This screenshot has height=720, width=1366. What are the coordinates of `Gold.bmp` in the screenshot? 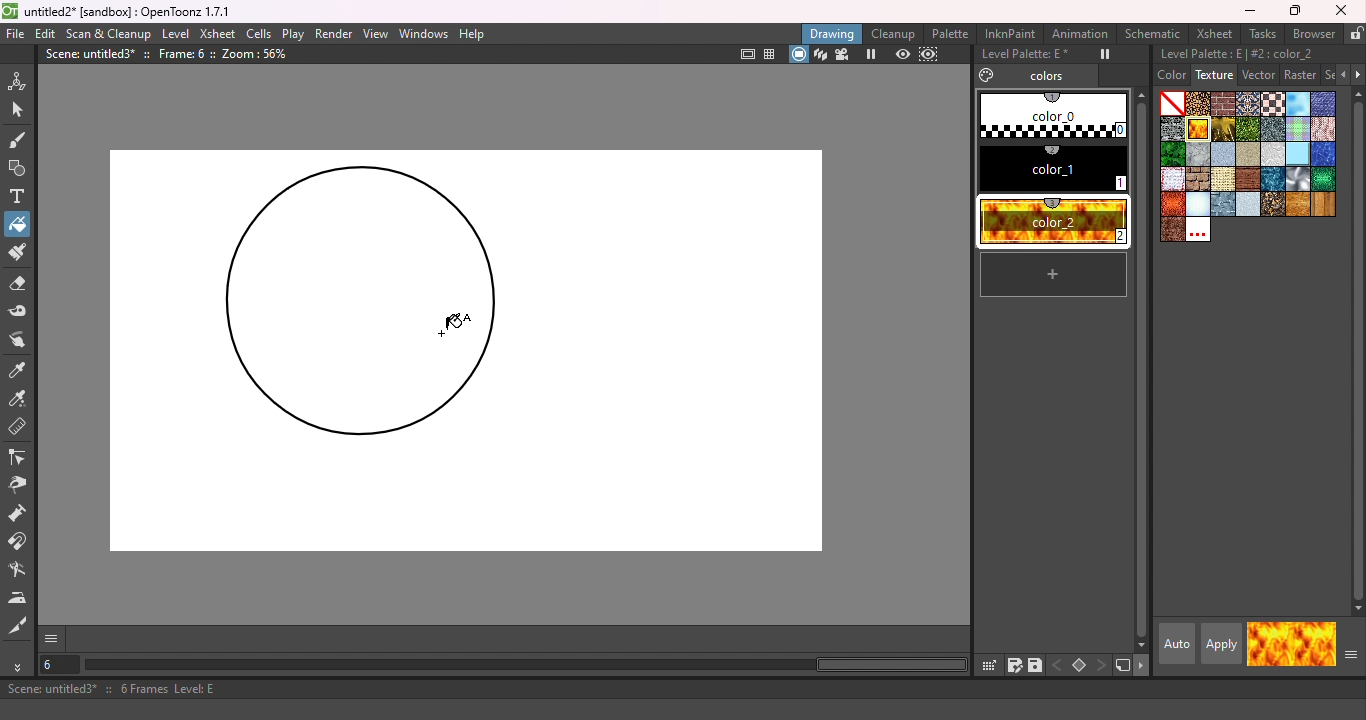 It's located at (1224, 129).